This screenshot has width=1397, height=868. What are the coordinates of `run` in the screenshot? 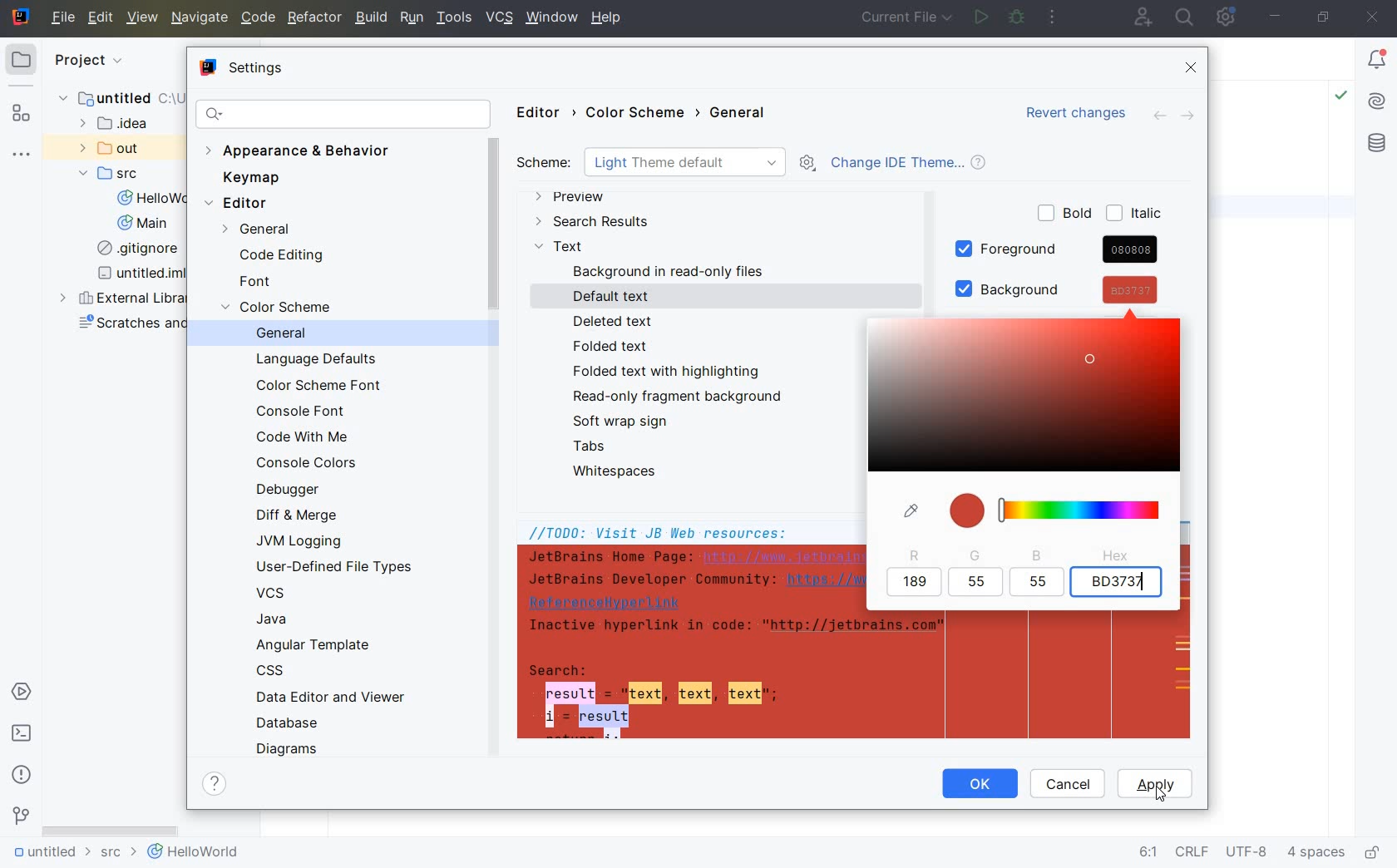 It's located at (980, 18).